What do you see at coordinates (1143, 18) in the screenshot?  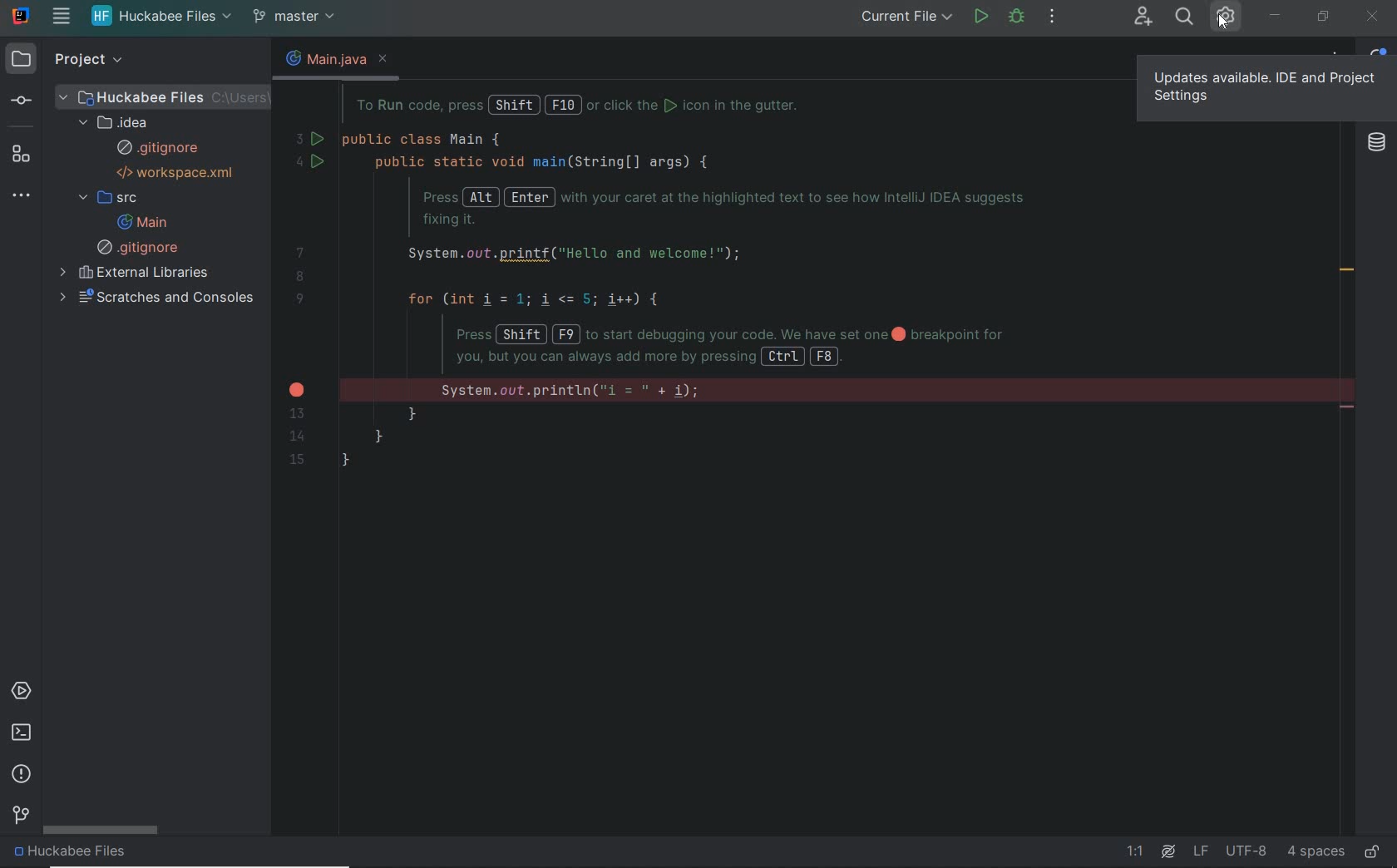 I see `code with me` at bounding box center [1143, 18].